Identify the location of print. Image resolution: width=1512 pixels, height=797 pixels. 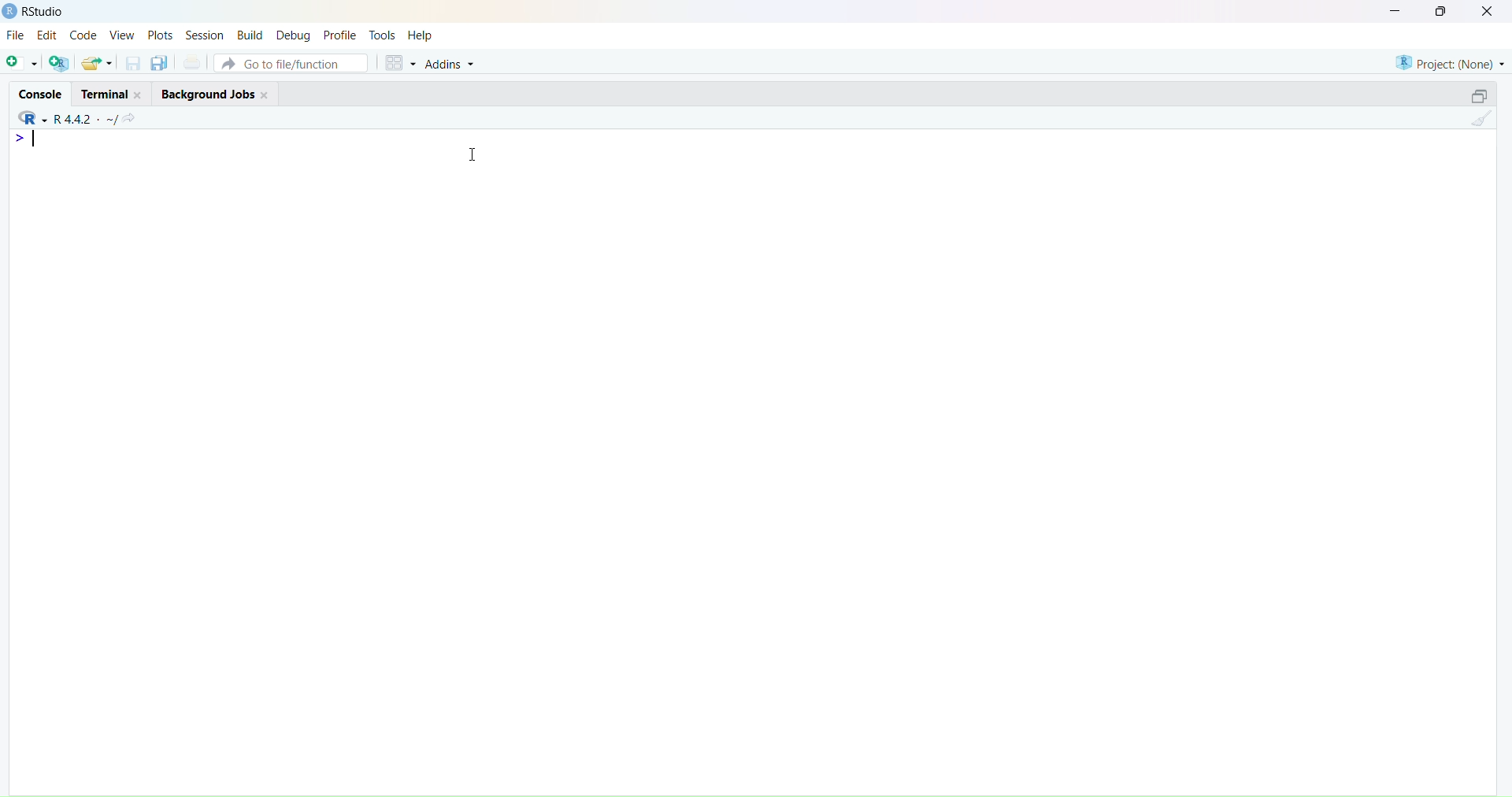
(193, 61).